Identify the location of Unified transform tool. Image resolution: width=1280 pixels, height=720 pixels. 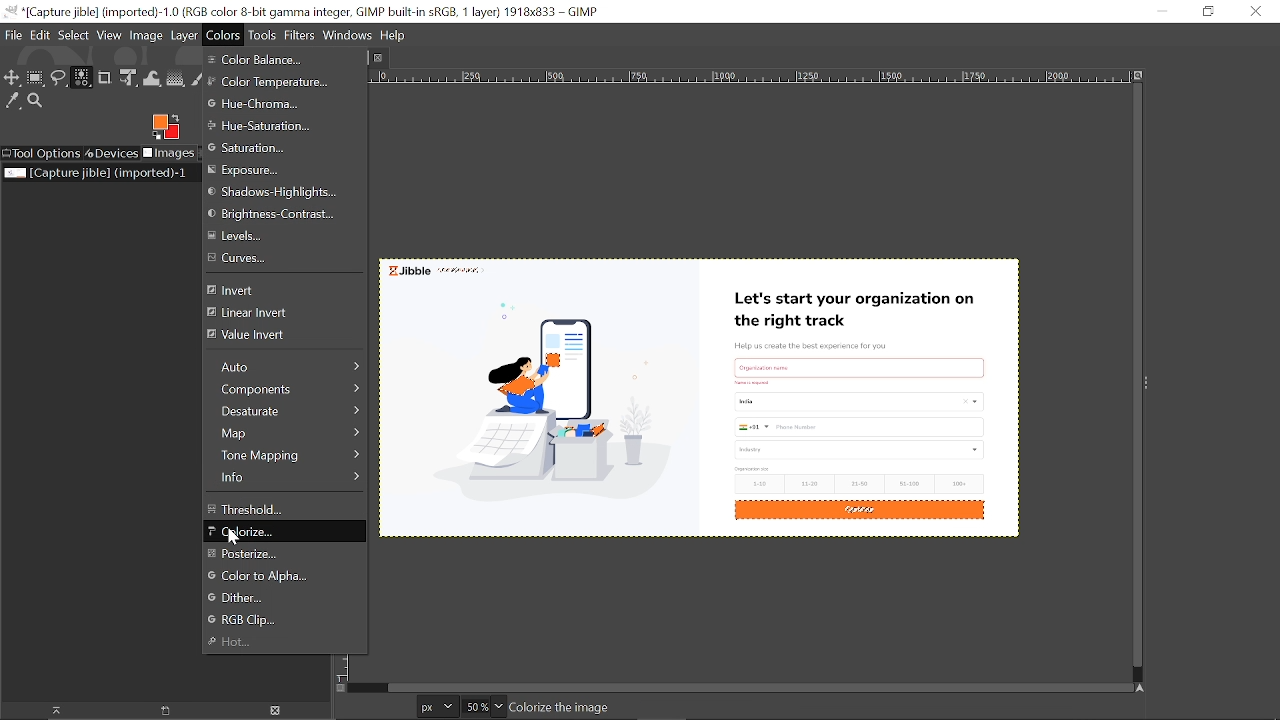
(128, 78).